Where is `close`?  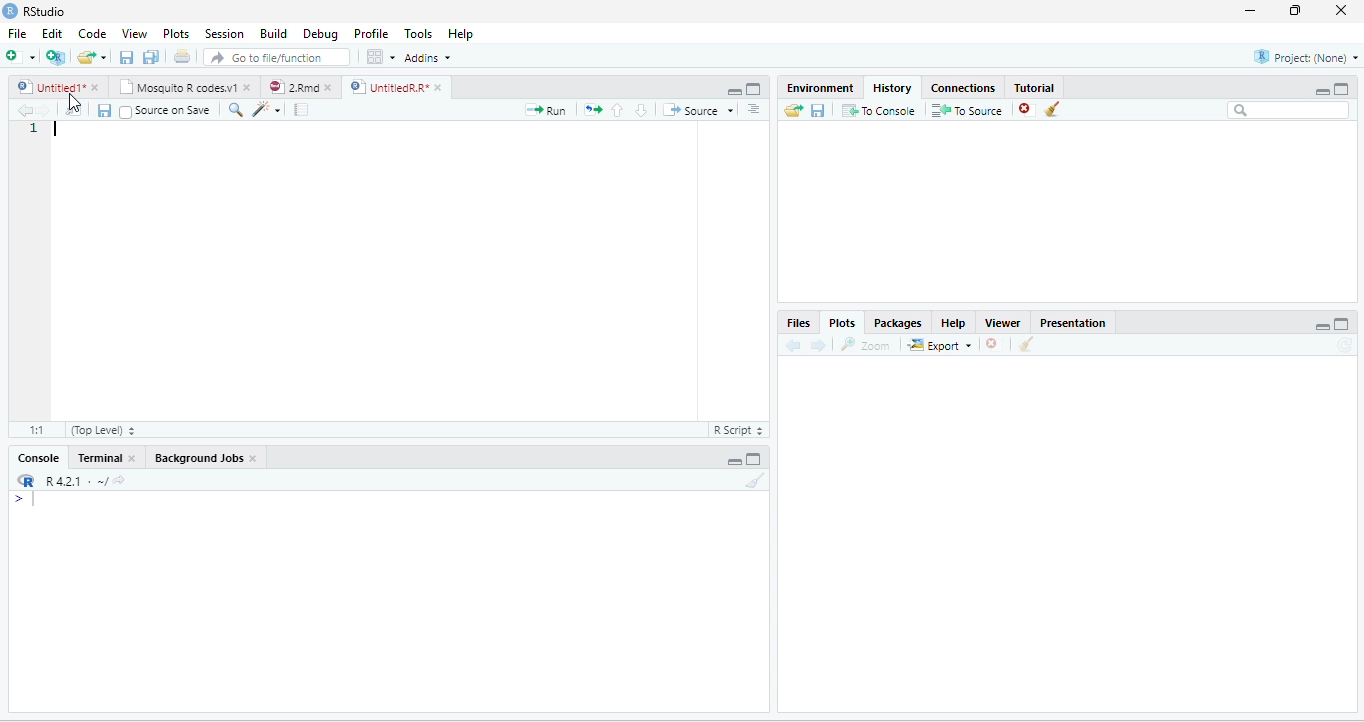
close is located at coordinates (1340, 11).